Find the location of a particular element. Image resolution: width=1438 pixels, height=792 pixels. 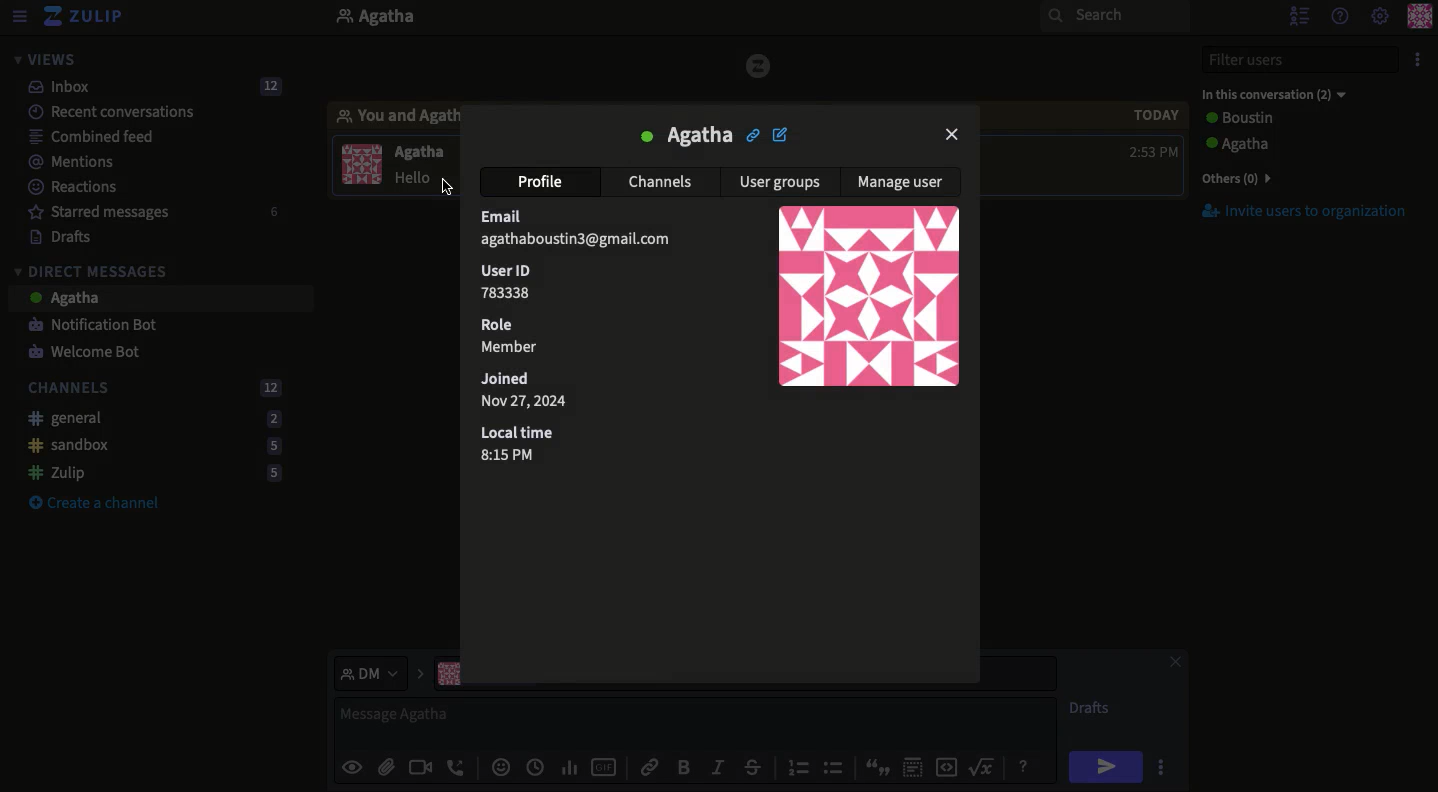

DM is located at coordinates (381, 673).